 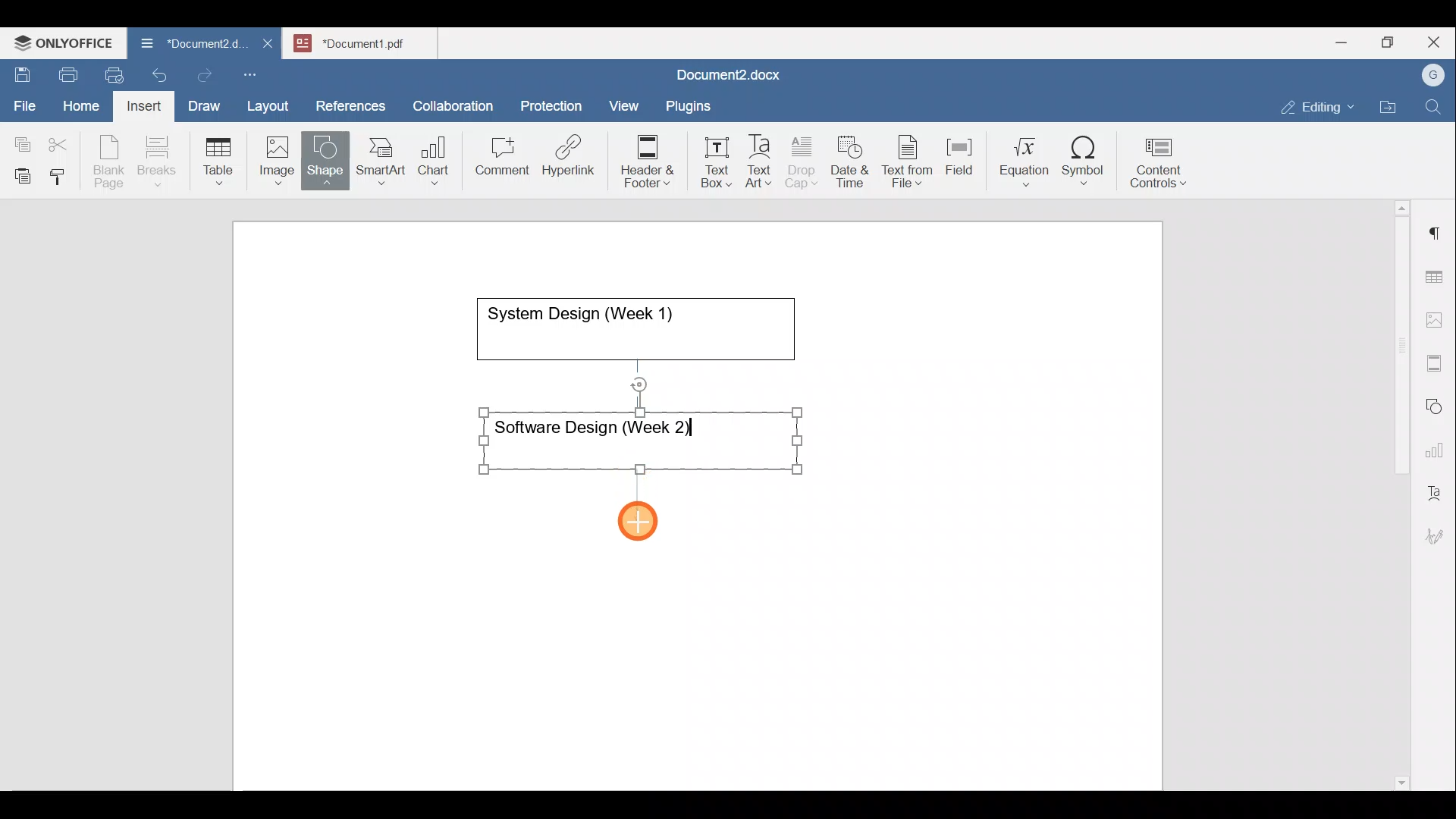 What do you see at coordinates (110, 73) in the screenshot?
I see `Quick print` at bounding box center [110, 73].